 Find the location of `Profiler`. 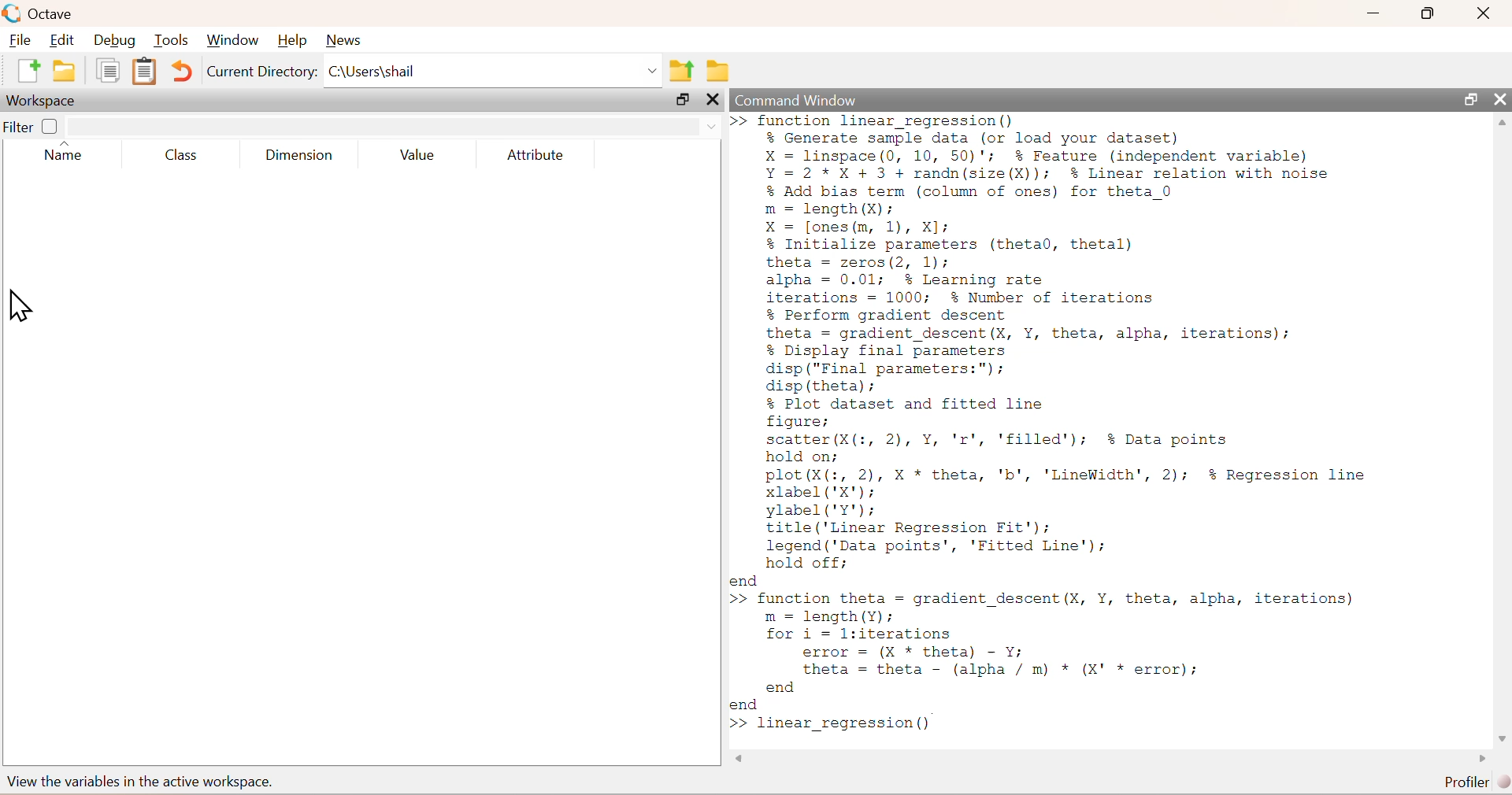

Profiler is located at coordinates (1475, 782).